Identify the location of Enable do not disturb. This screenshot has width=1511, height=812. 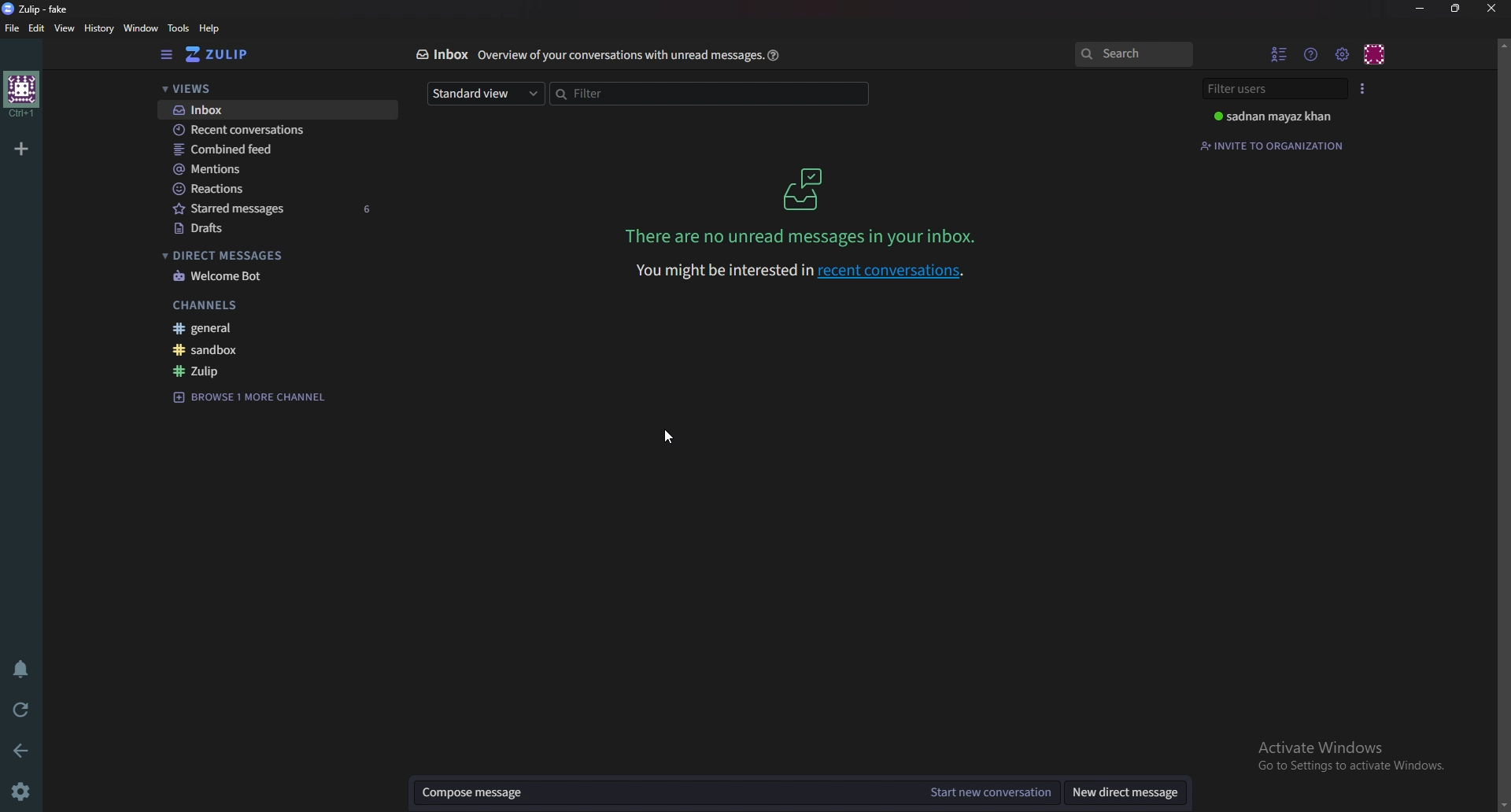
(20, 668).